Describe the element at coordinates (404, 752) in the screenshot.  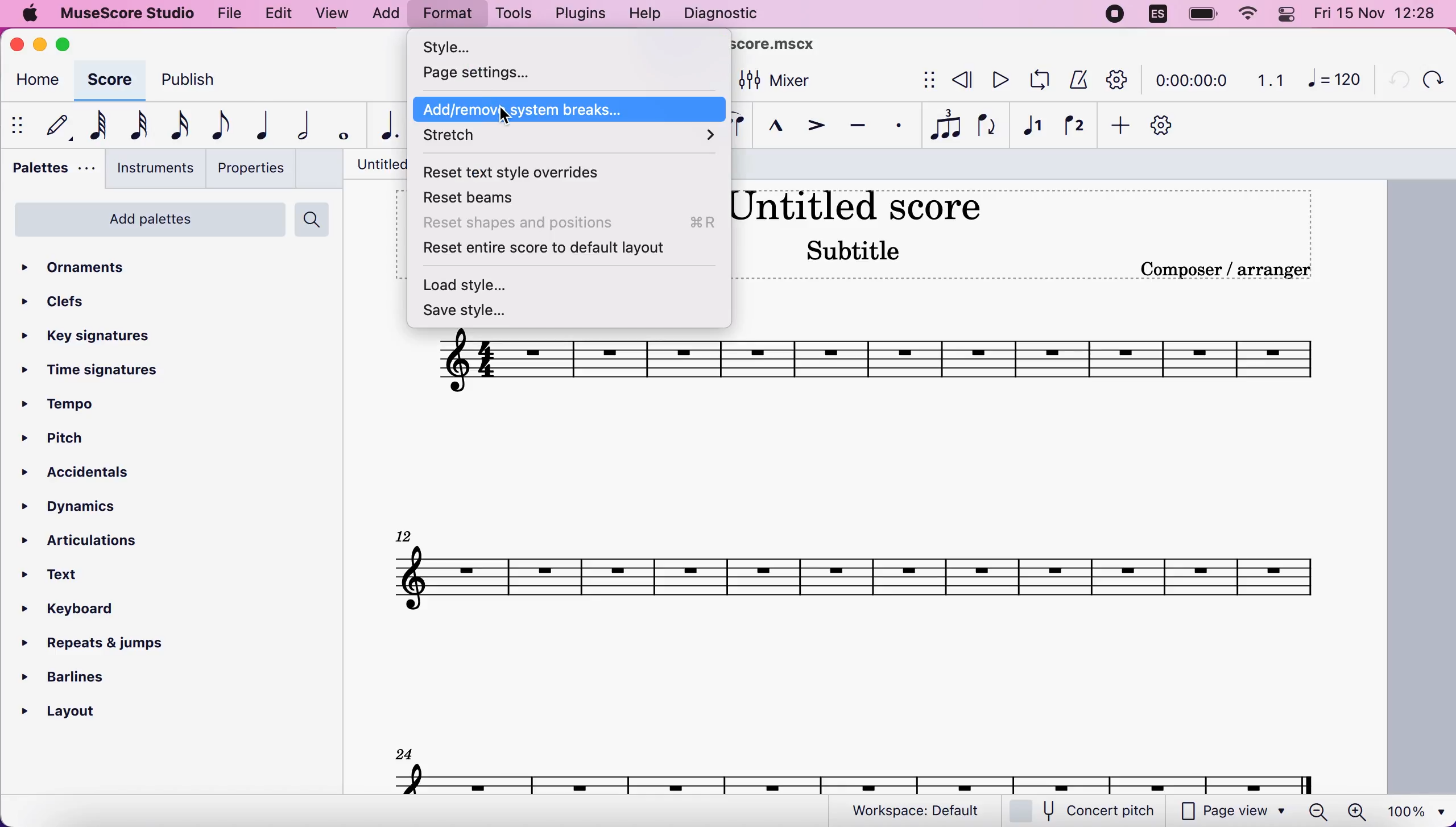
I see `24` at that location.